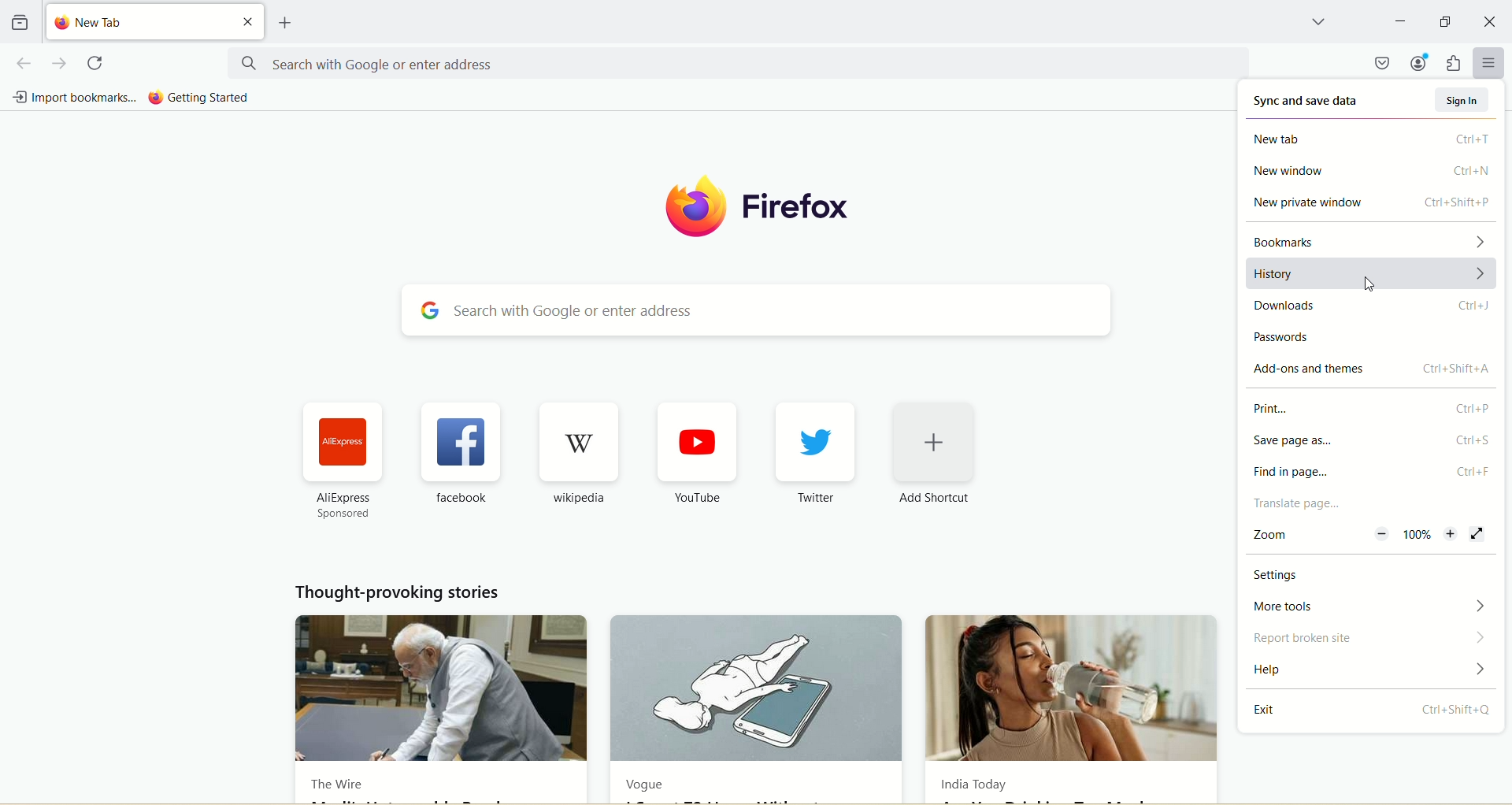 This screenshot has height=805, width=1512. What do you see at coordinates (736, 63) in the screenshot?
I see `search with google or enter address` at bounding box center [736, 63].